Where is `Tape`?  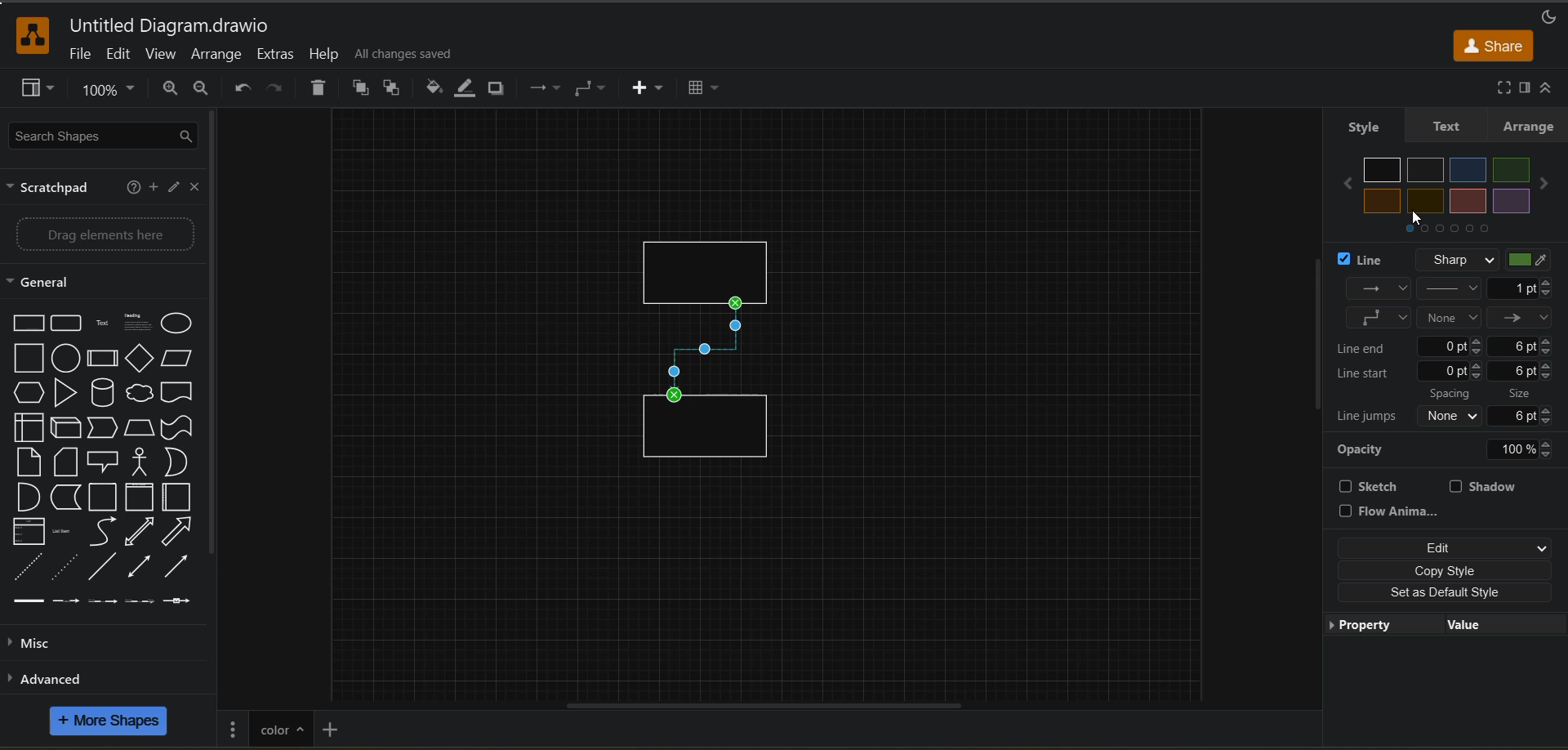
Tape is located at coordinates (178, 428).